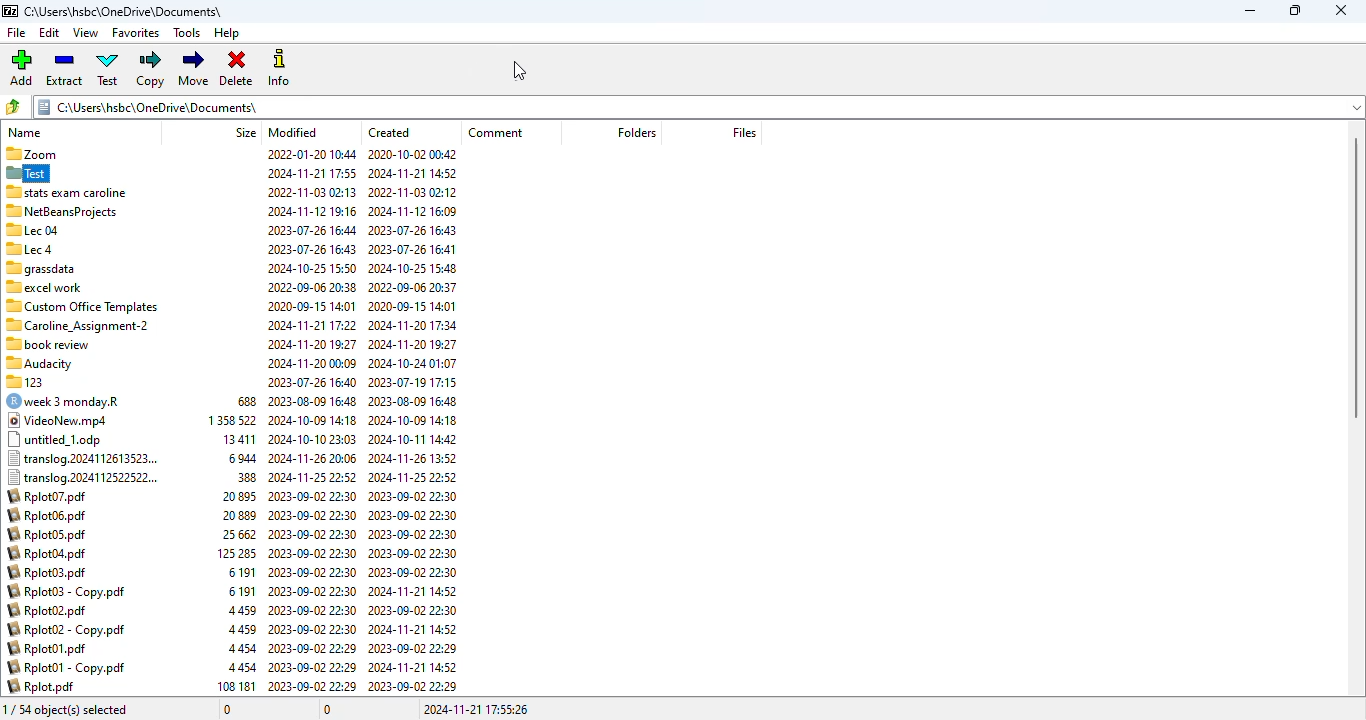 The height and width of the screenshot is (720, 1366). Describe the element at coordinates (313, 686) in the screenshot. I see `2023-09-02 22:29` at that location.